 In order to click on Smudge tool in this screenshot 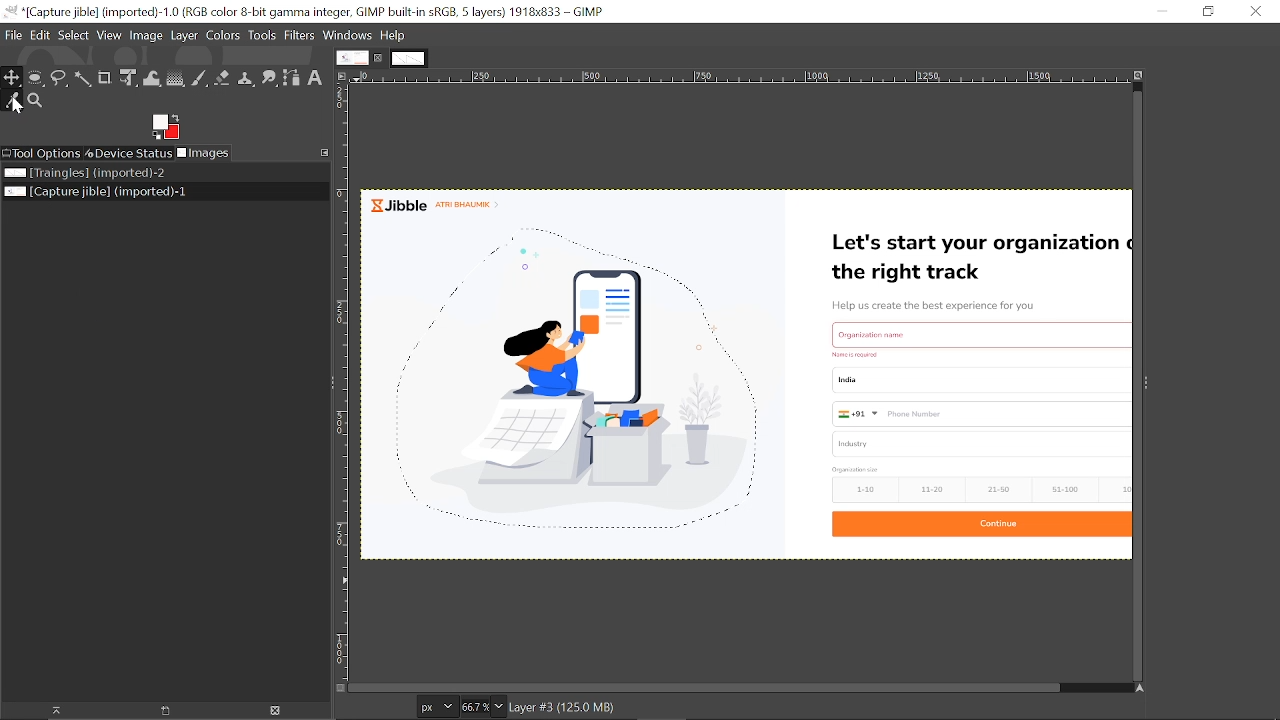, I will do `click(269, 79)`.